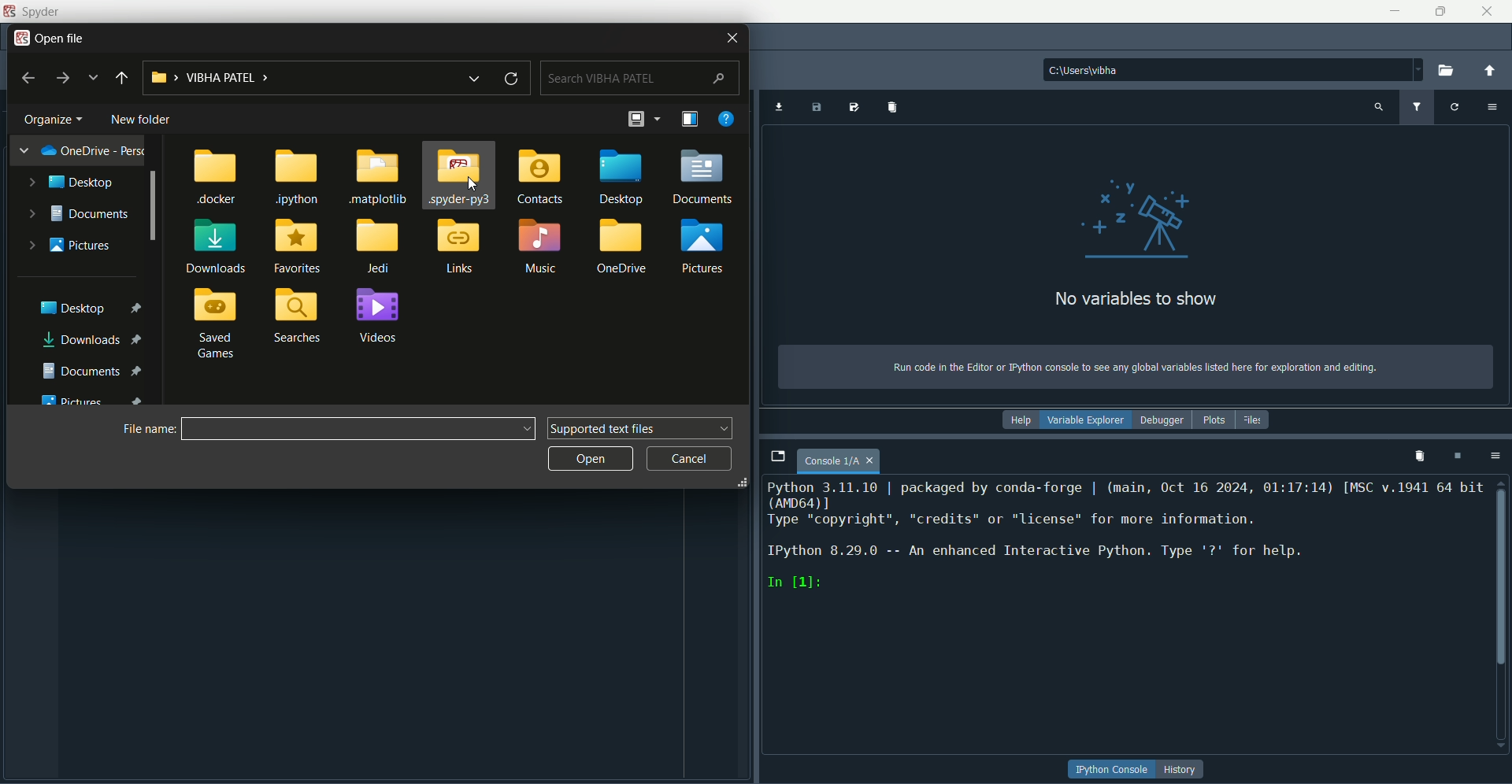  I want to click on folder, so click(300, 178).